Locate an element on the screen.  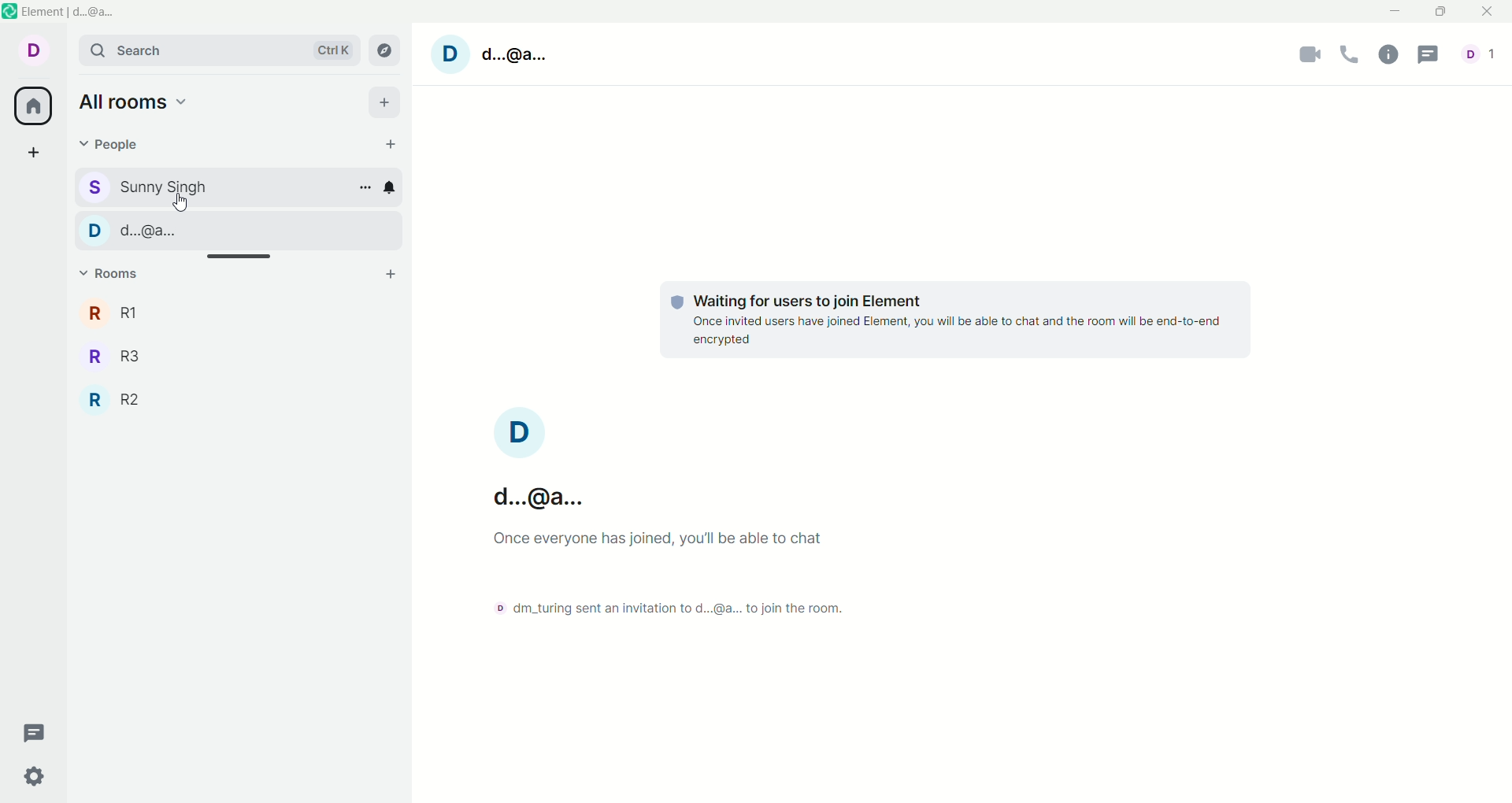
account is located at coordinates (1481, 54).